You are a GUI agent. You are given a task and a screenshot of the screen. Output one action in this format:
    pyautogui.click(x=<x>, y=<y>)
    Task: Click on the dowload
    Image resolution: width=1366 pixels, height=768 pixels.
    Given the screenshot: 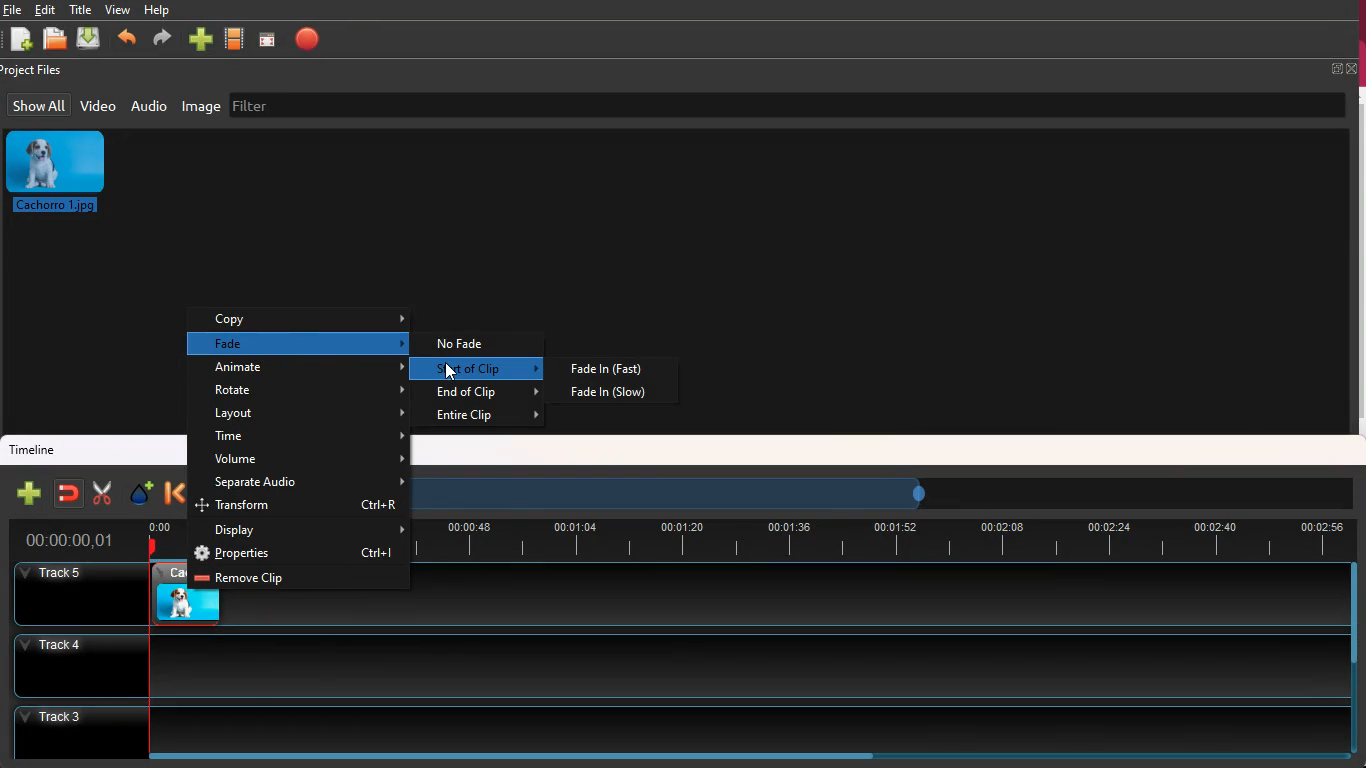 What is the action you would take?
    pyautogui.click(x=92, y=40)
    